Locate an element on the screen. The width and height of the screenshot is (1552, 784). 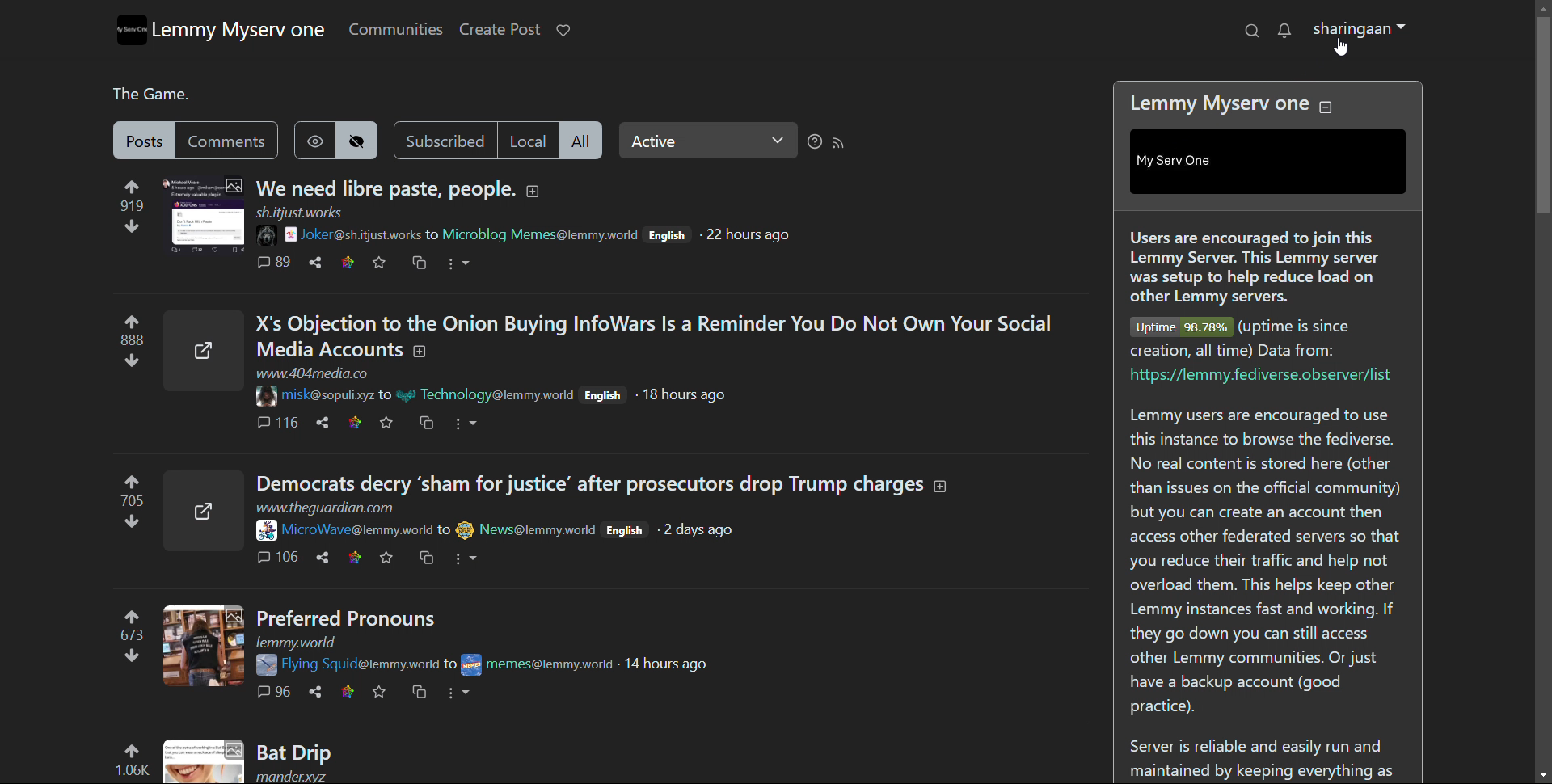
select relevance is located at coordinates (708, 141).